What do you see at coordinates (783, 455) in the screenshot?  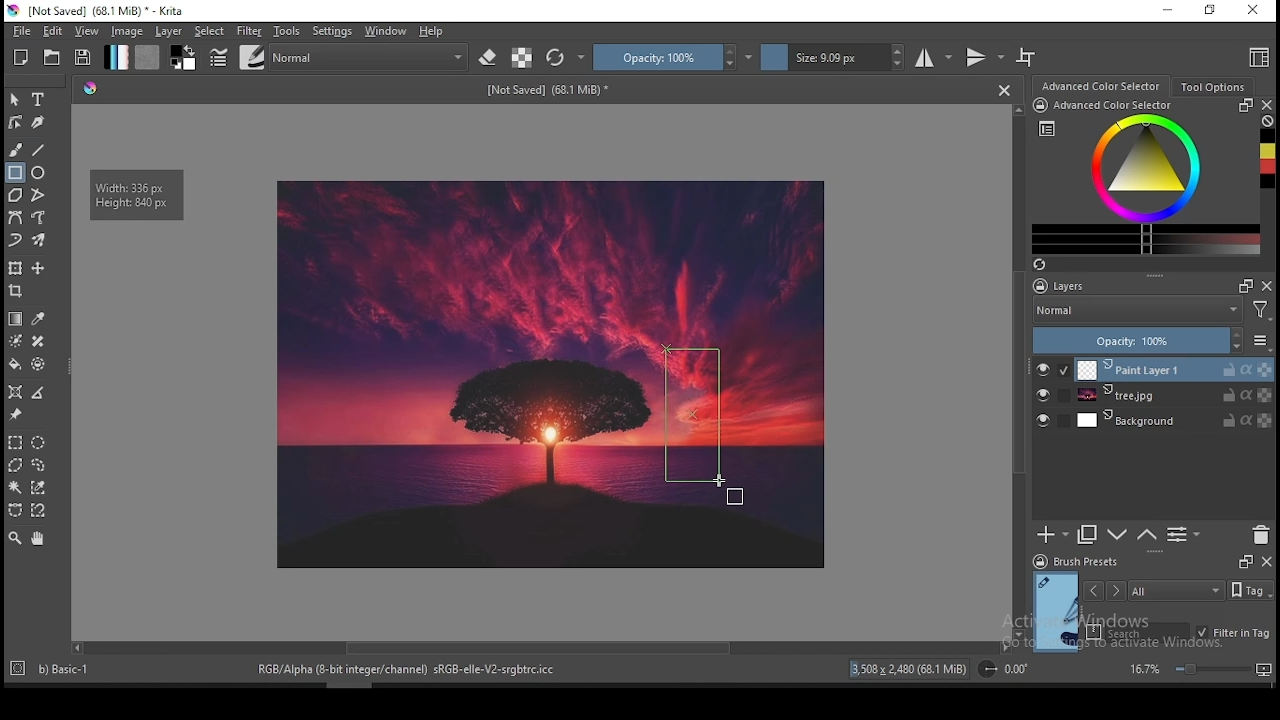 I see `image` at bounding box center [783, 455].